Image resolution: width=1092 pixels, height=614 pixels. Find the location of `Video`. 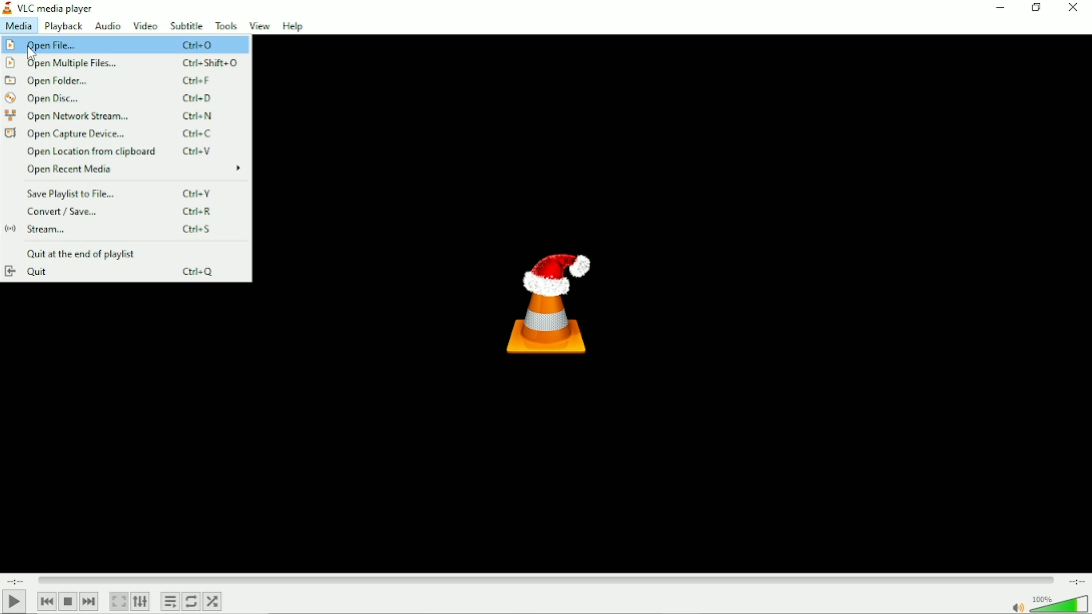

Video is located at coordinates (145, 25).